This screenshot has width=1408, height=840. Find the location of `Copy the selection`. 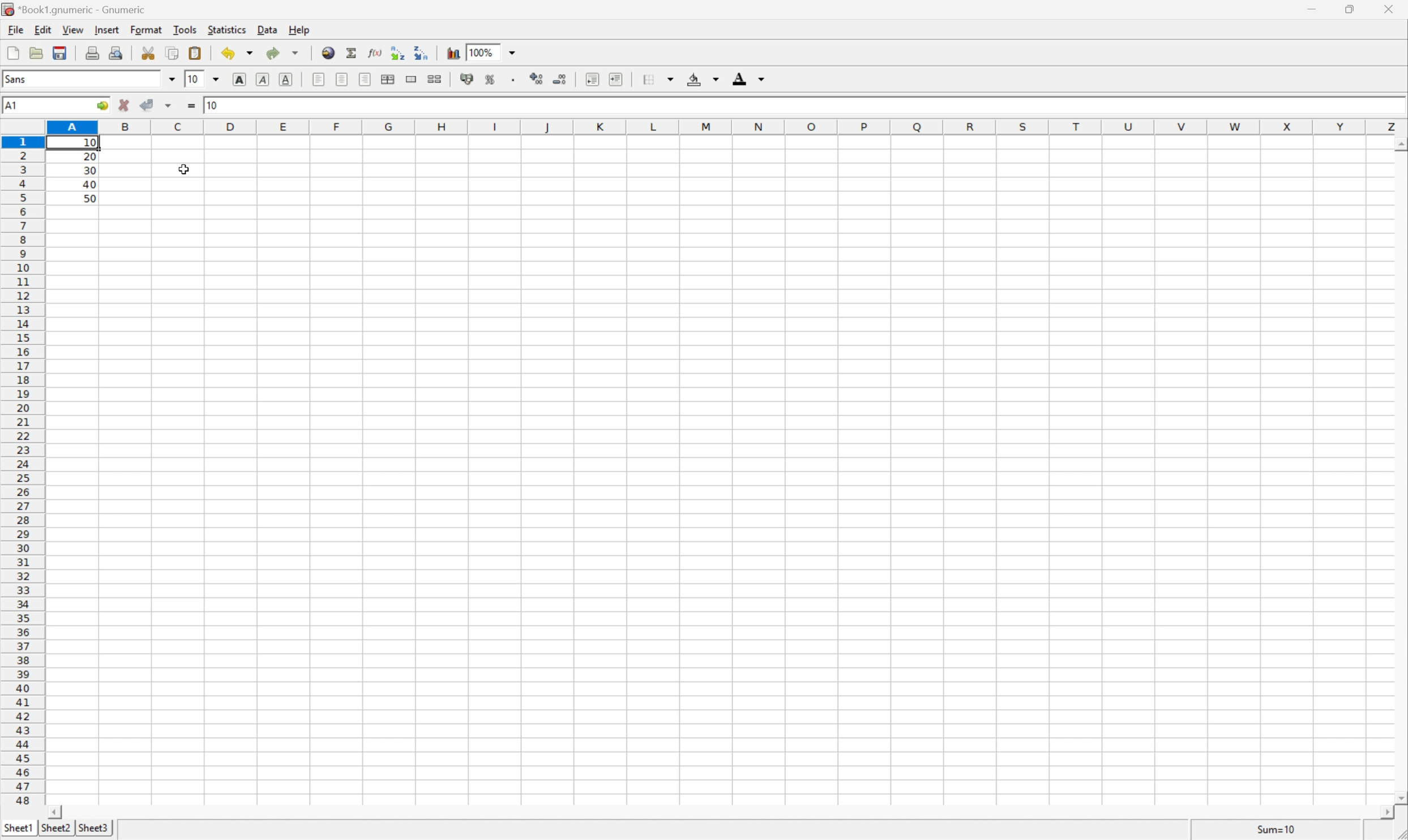

Copy the selection is located at coordinates (171, 54).